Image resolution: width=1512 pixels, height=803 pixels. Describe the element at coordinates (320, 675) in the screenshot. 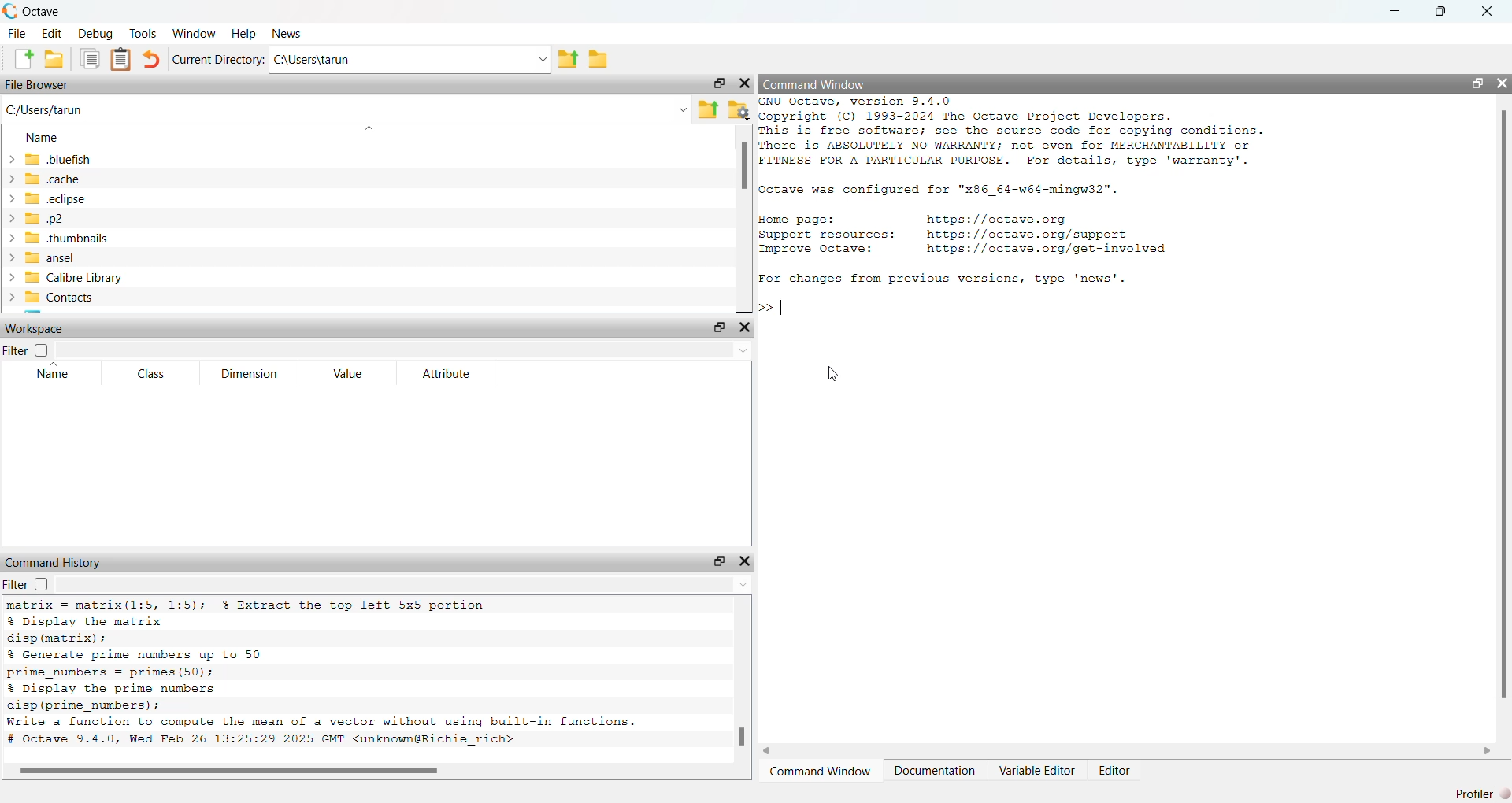

I see `matrix = matrix(1:5, 1:5); % Extract the top-left 5x5 portion

% Display the matrix

disp (matrix) ;

% Generate prime numbers up to 50

prime_numbers = primes (50);

% Display the prime numbers

disp (prime_numbers) ;

Write a function to compute the mean of a vector without using built-in functions.
# octave 9.4.0, Wed Feb 26 13:25:29 2025 GMT <unknown@Richie_rich>` at that location.